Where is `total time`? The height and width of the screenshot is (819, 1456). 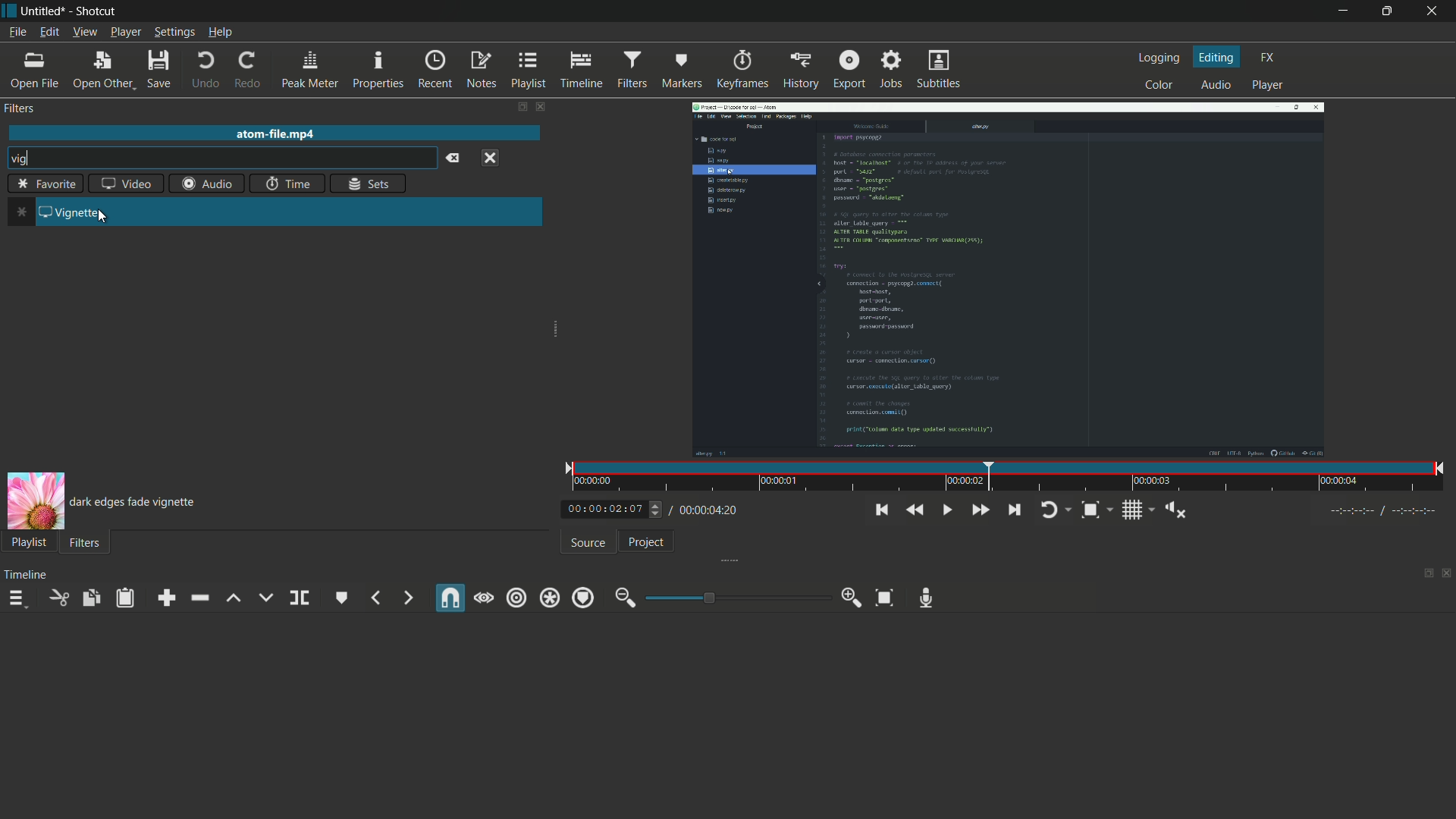 total time is located at coordinates (702, 510).